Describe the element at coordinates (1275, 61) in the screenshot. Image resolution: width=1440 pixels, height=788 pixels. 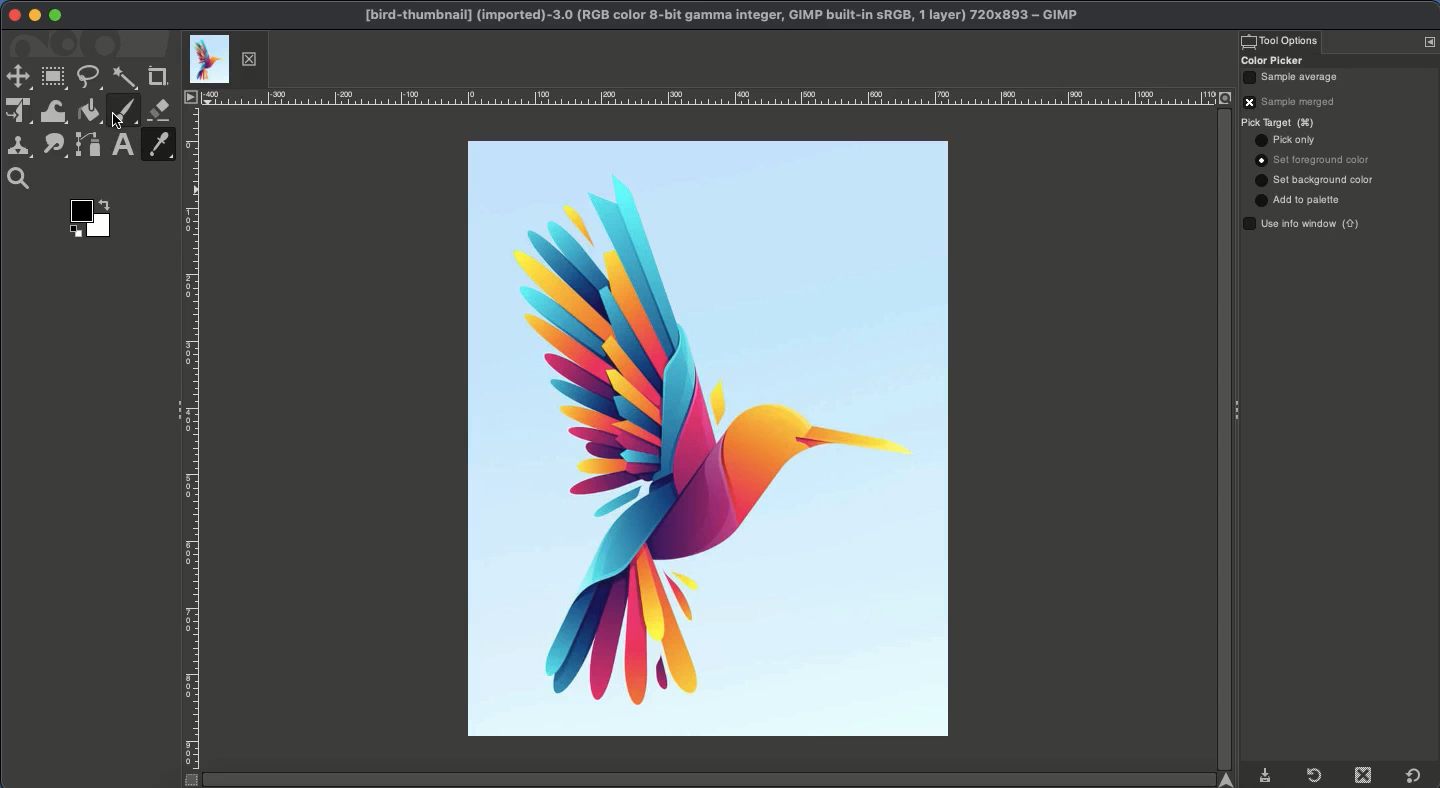
I see `Color picker` at that location.